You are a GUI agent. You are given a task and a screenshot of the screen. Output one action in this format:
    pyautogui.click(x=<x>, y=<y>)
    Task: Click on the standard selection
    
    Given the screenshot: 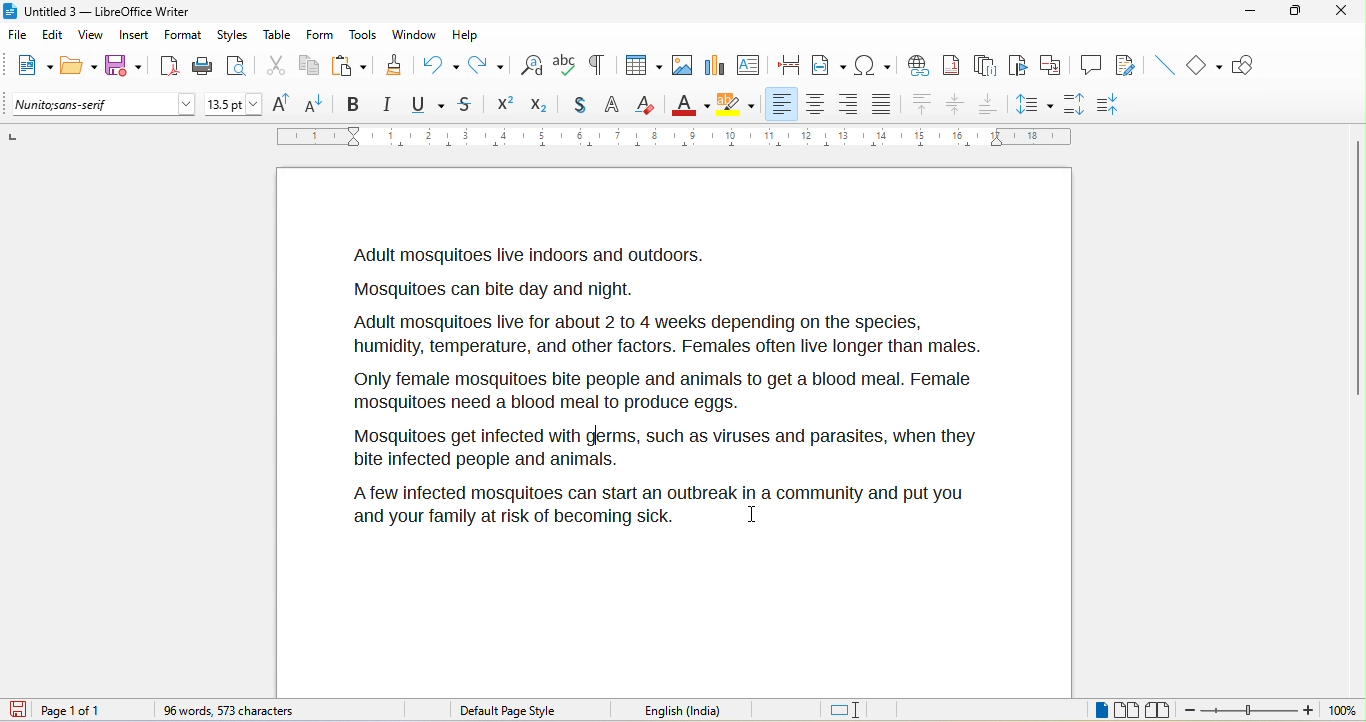 What is the action you would take?
    pyautogui.click(x=846, y=709)
    